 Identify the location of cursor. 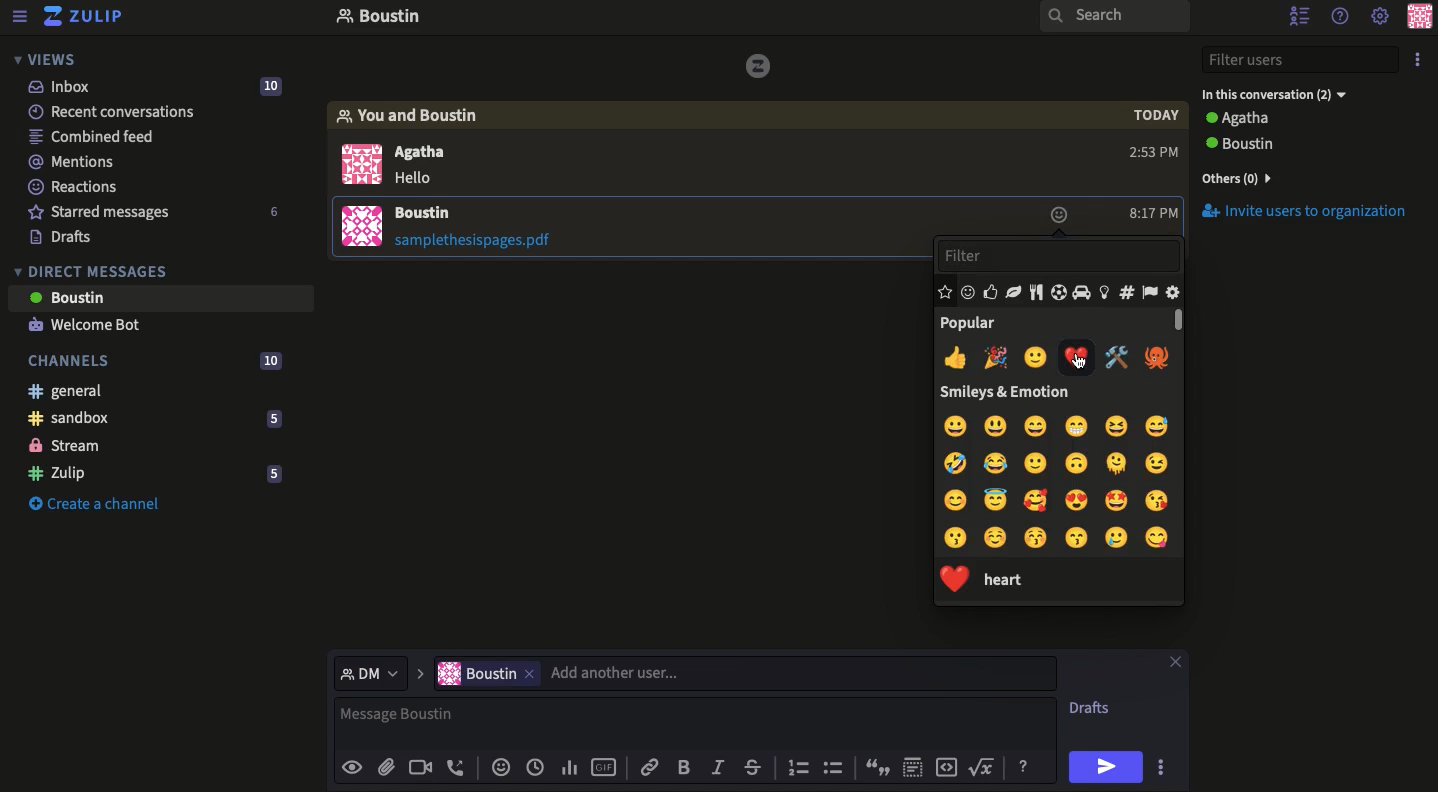
(1083, 364).